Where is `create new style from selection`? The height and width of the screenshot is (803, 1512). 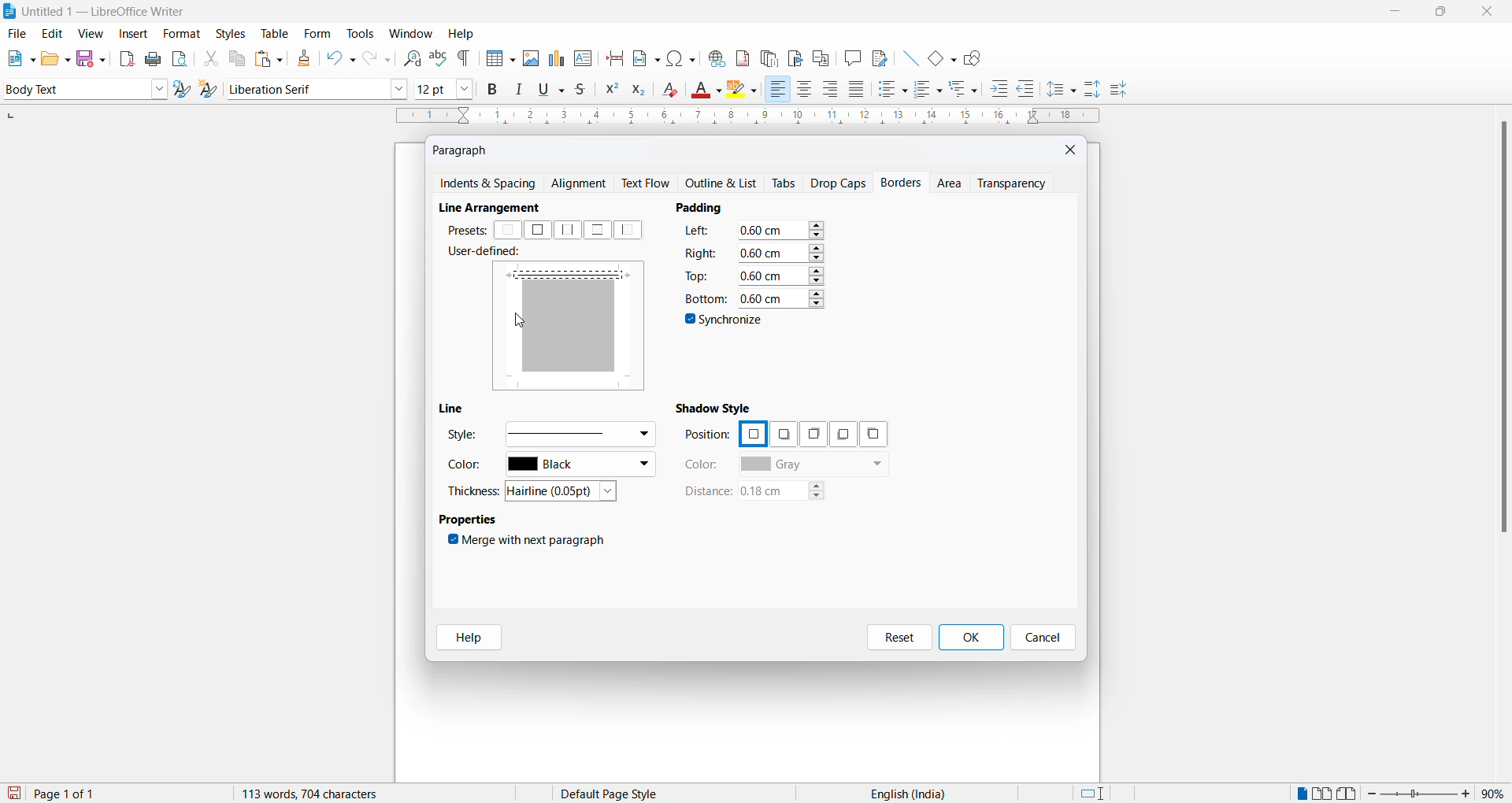
create new style from selection is located at coordinates (212, 91).